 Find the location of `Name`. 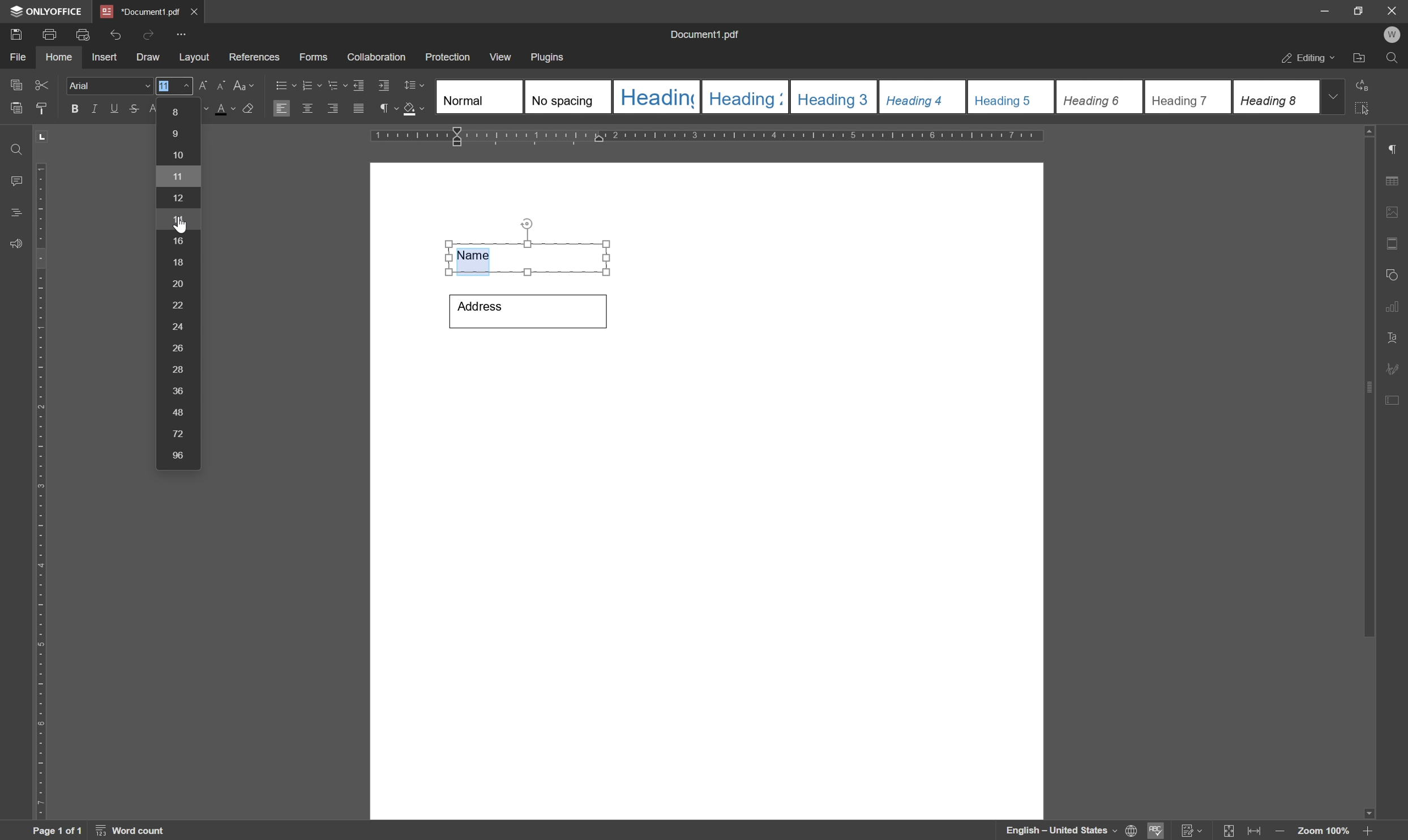

Name is located at coordinates (530, 256).